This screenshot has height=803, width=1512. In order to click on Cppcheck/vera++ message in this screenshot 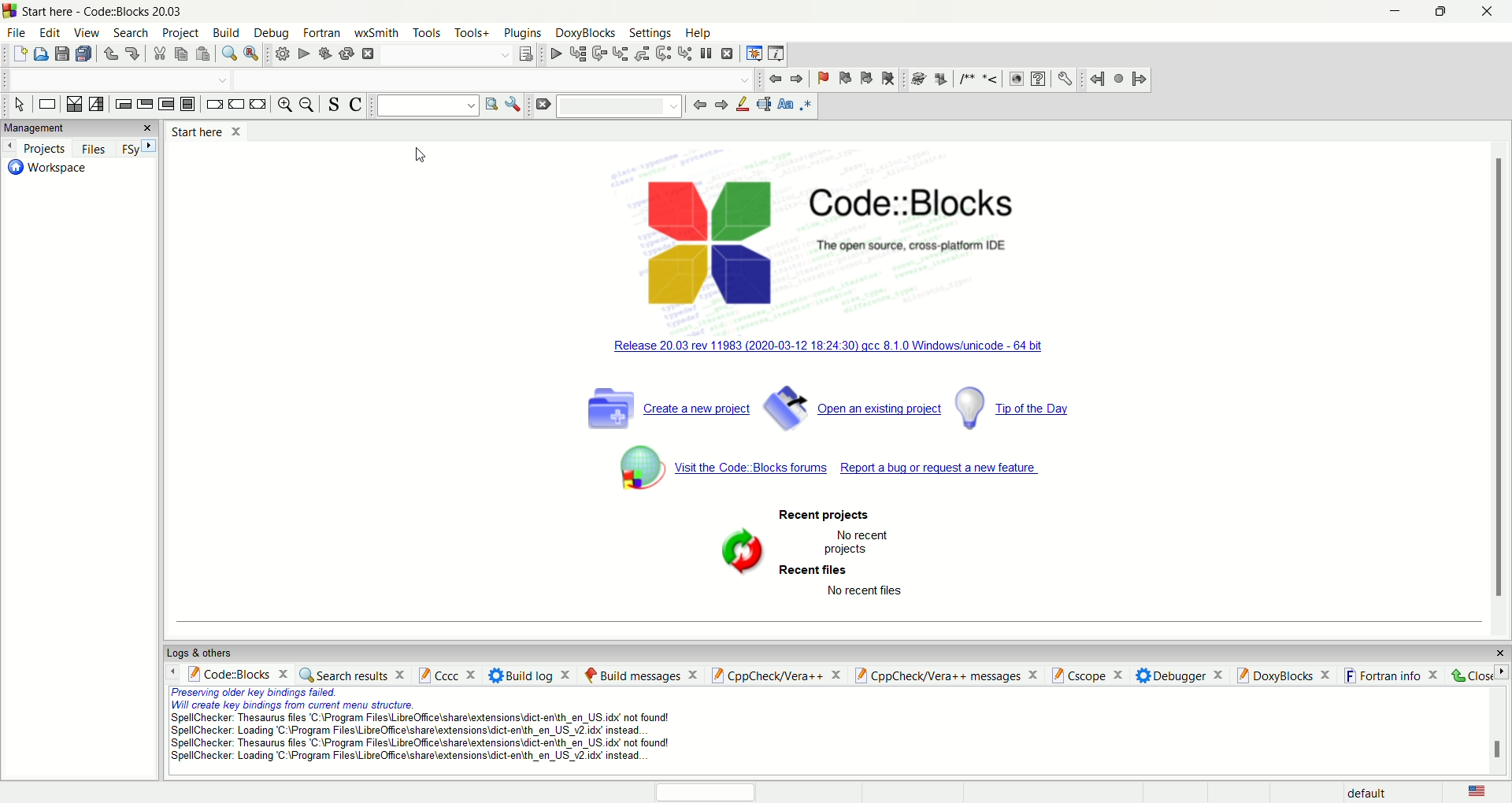, I will do `click(946, 676)`.